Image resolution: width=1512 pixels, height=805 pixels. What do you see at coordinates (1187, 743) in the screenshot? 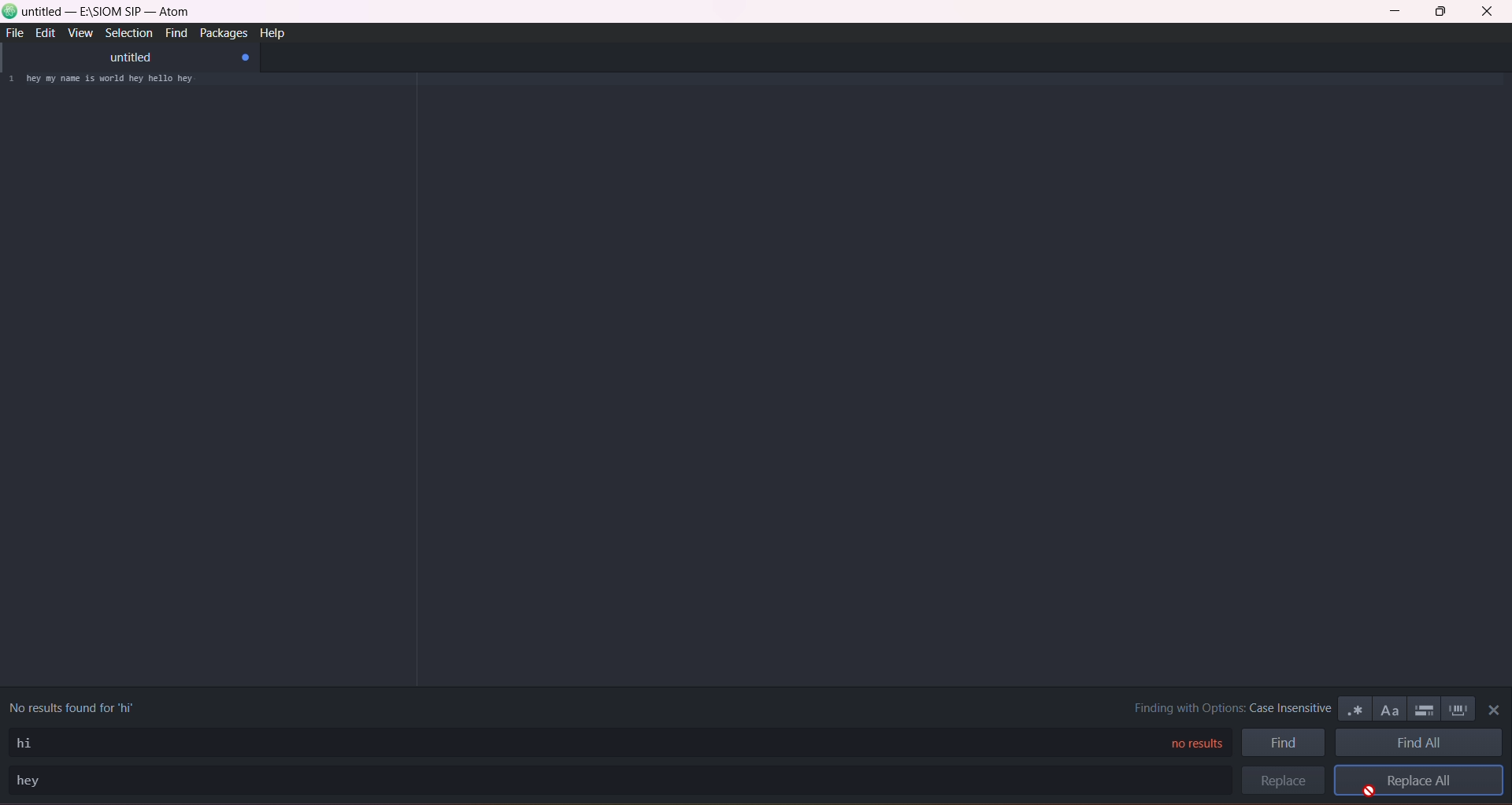
I see `no results` at bounding box center [1187, 743].